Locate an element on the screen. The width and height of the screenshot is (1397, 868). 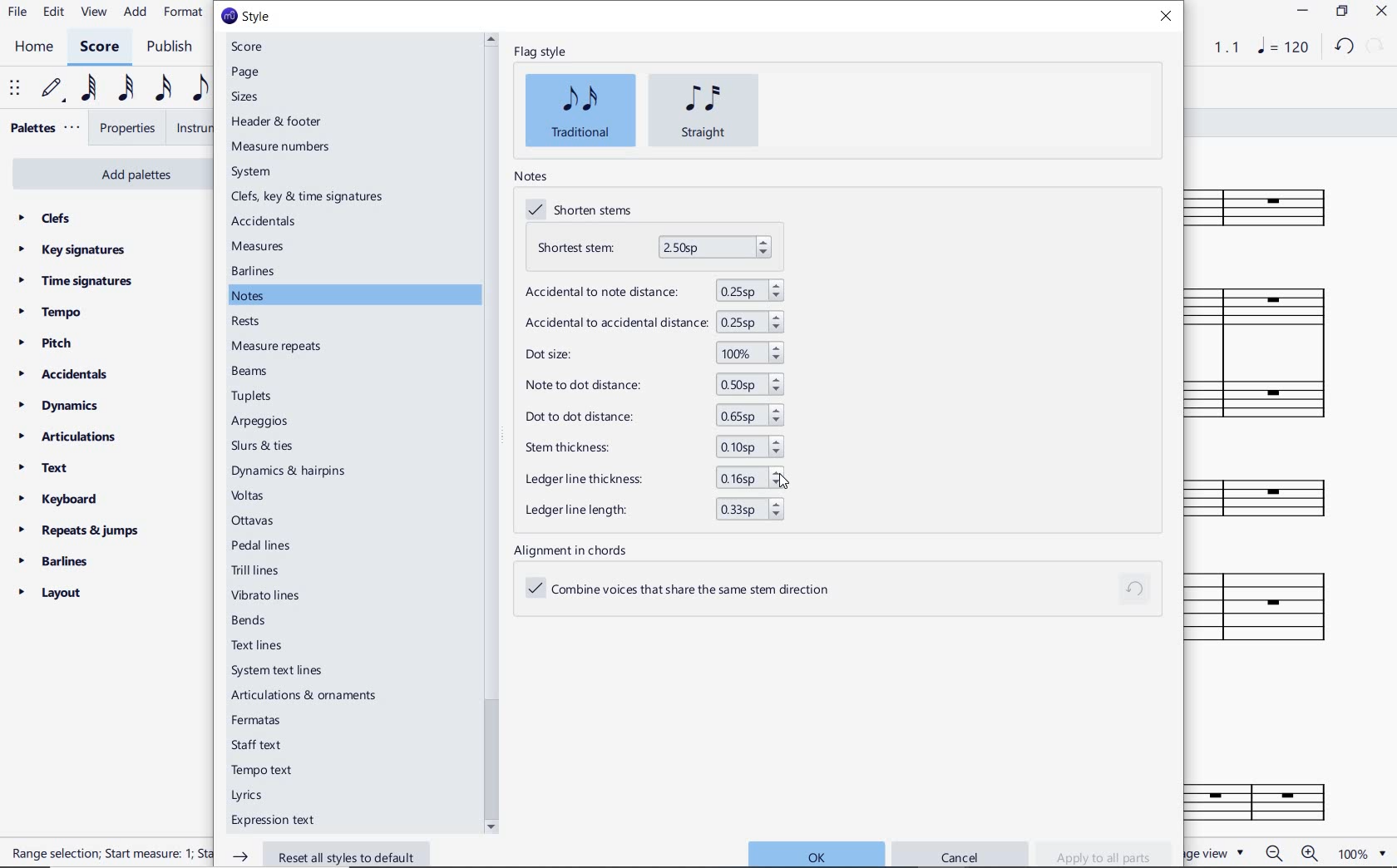
combine voices that share the same stem direction is located at coordinates (689, 590).